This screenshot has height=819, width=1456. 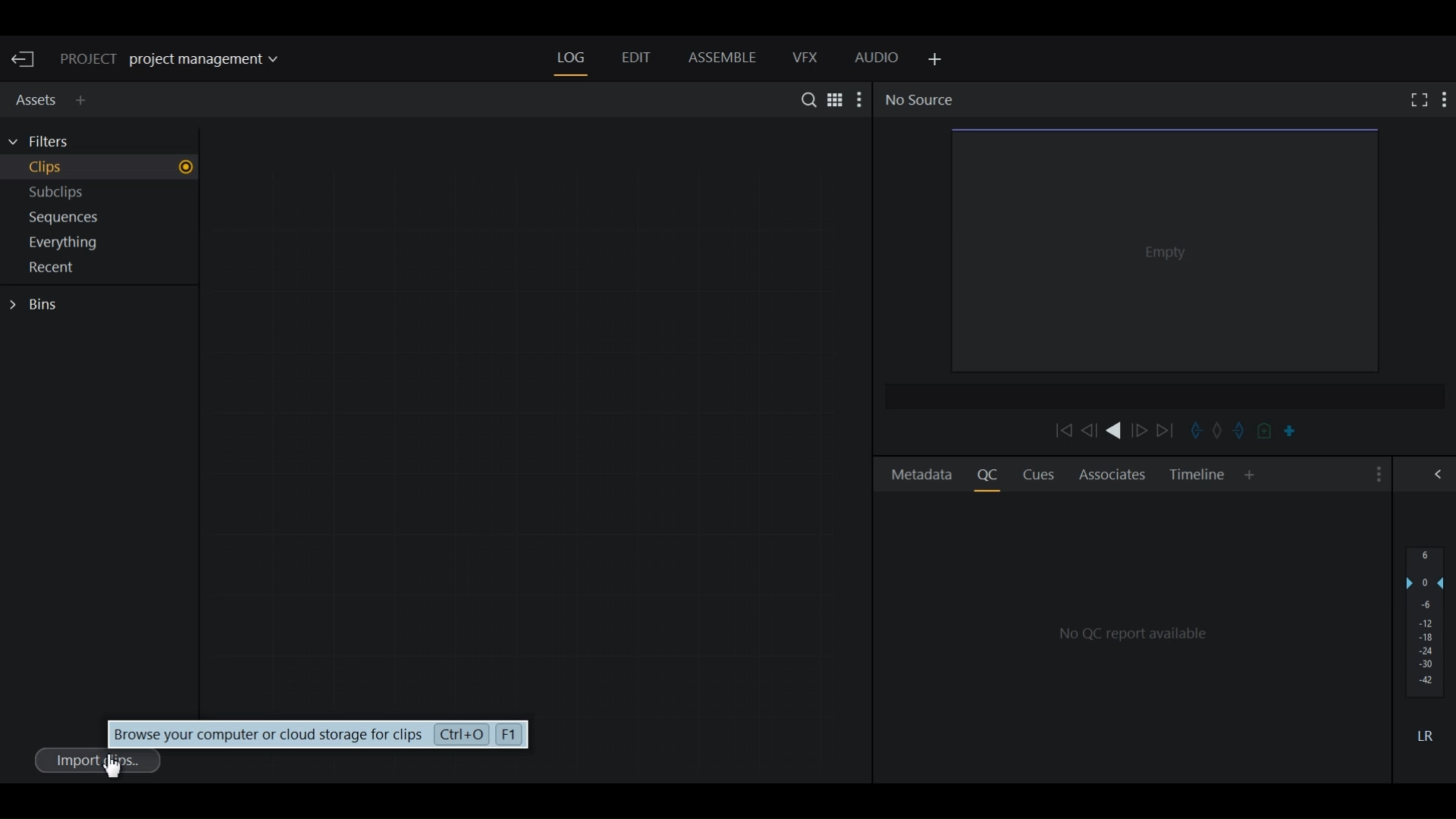 I want to click on , so click(x=1291, y=432).